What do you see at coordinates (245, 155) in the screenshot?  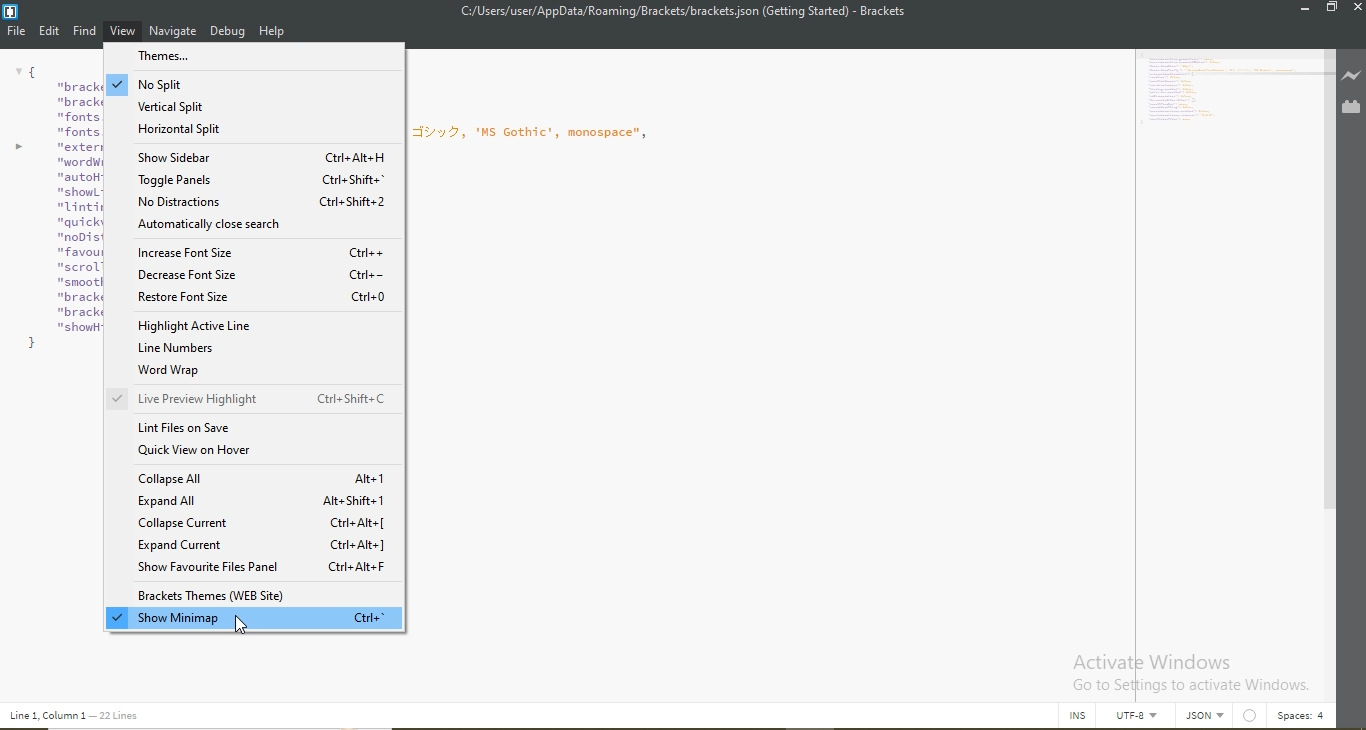 I see `show sidebar` at bounding box center [245, 155].